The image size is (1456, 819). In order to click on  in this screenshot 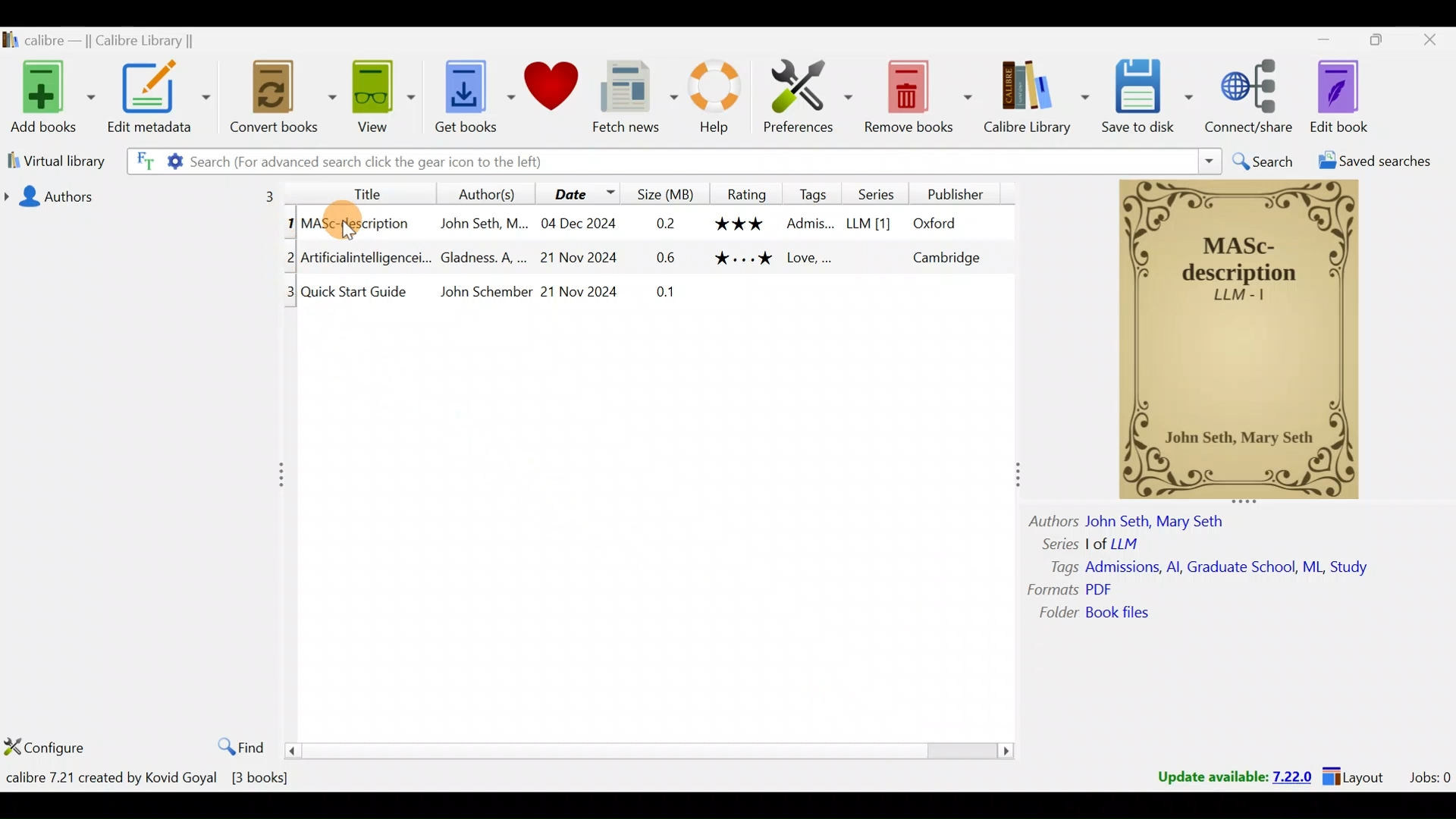, I will do `click(1053, 522)`.